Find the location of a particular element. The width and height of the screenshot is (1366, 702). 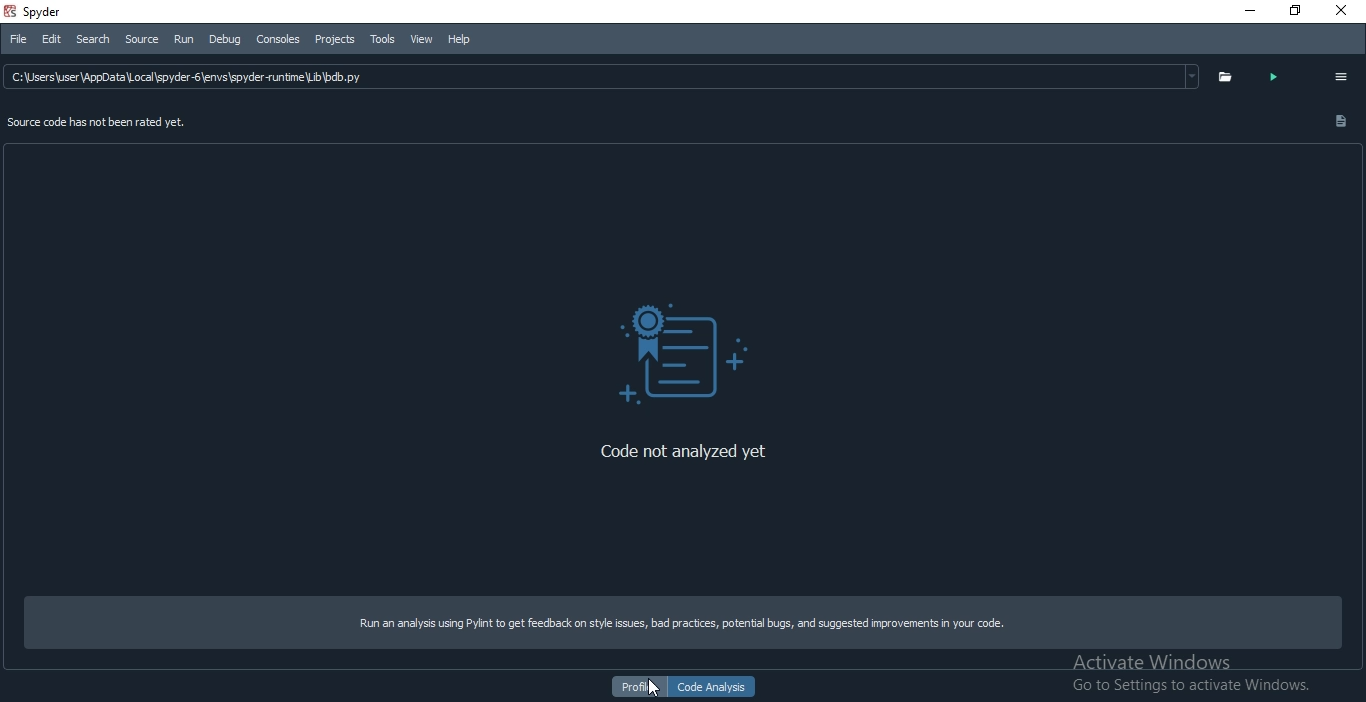

Debug is located at coordinates (226, 41).